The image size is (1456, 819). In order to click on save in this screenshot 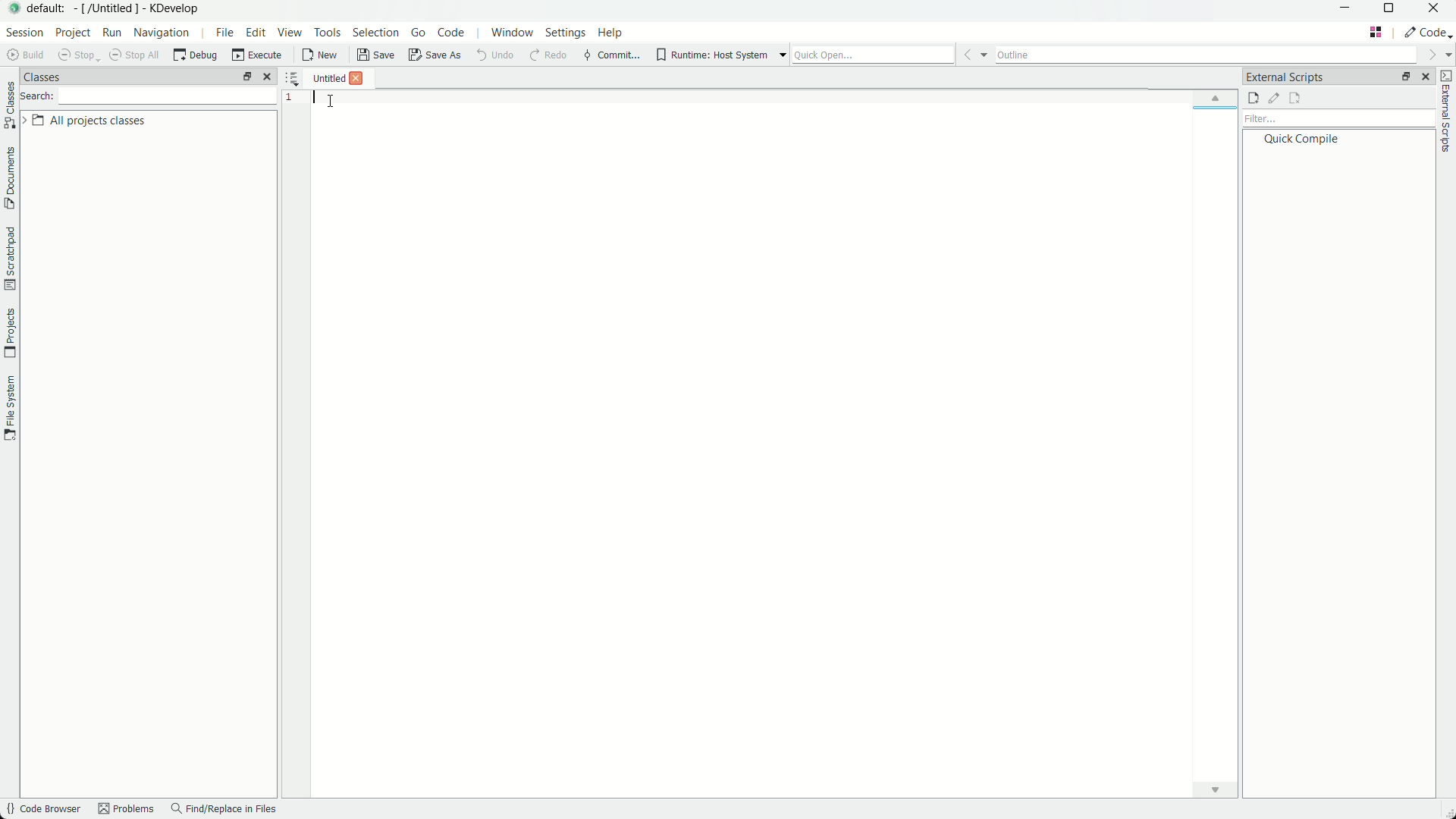, I will do `click(376, 58)`.